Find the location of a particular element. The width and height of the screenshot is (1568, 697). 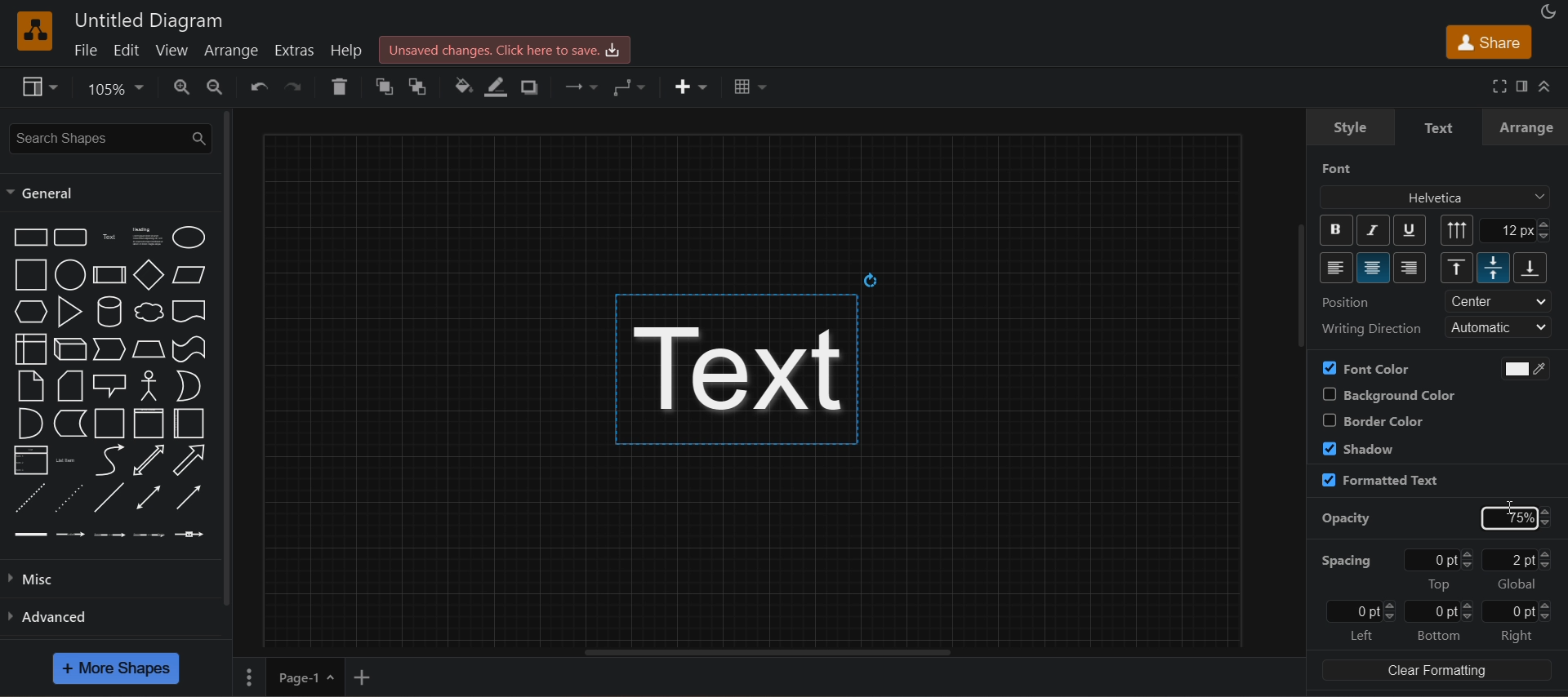

automatic is located at coordinates (1501, 327).